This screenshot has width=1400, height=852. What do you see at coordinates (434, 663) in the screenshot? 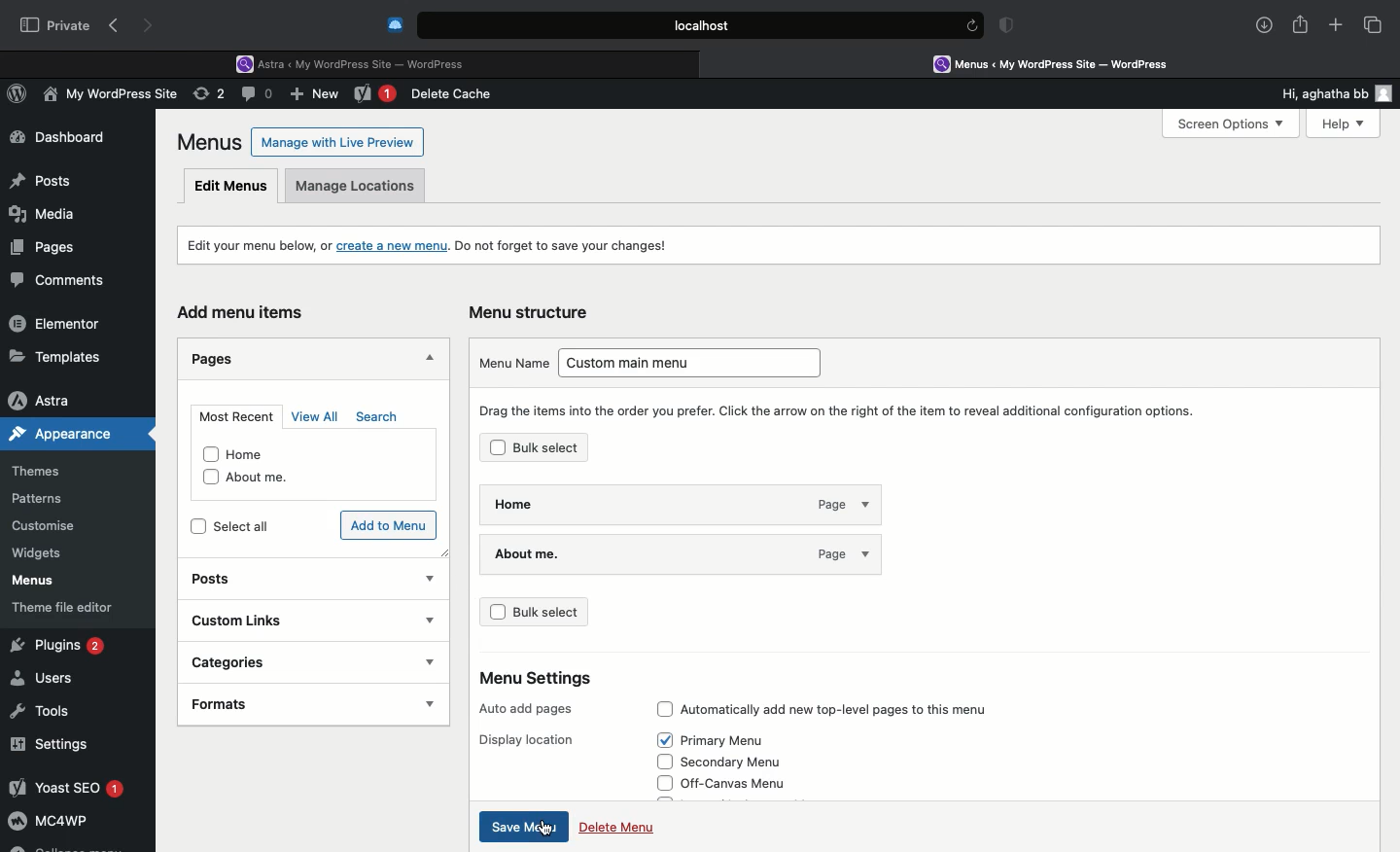
I see `show` at bounding box center [434, 663].